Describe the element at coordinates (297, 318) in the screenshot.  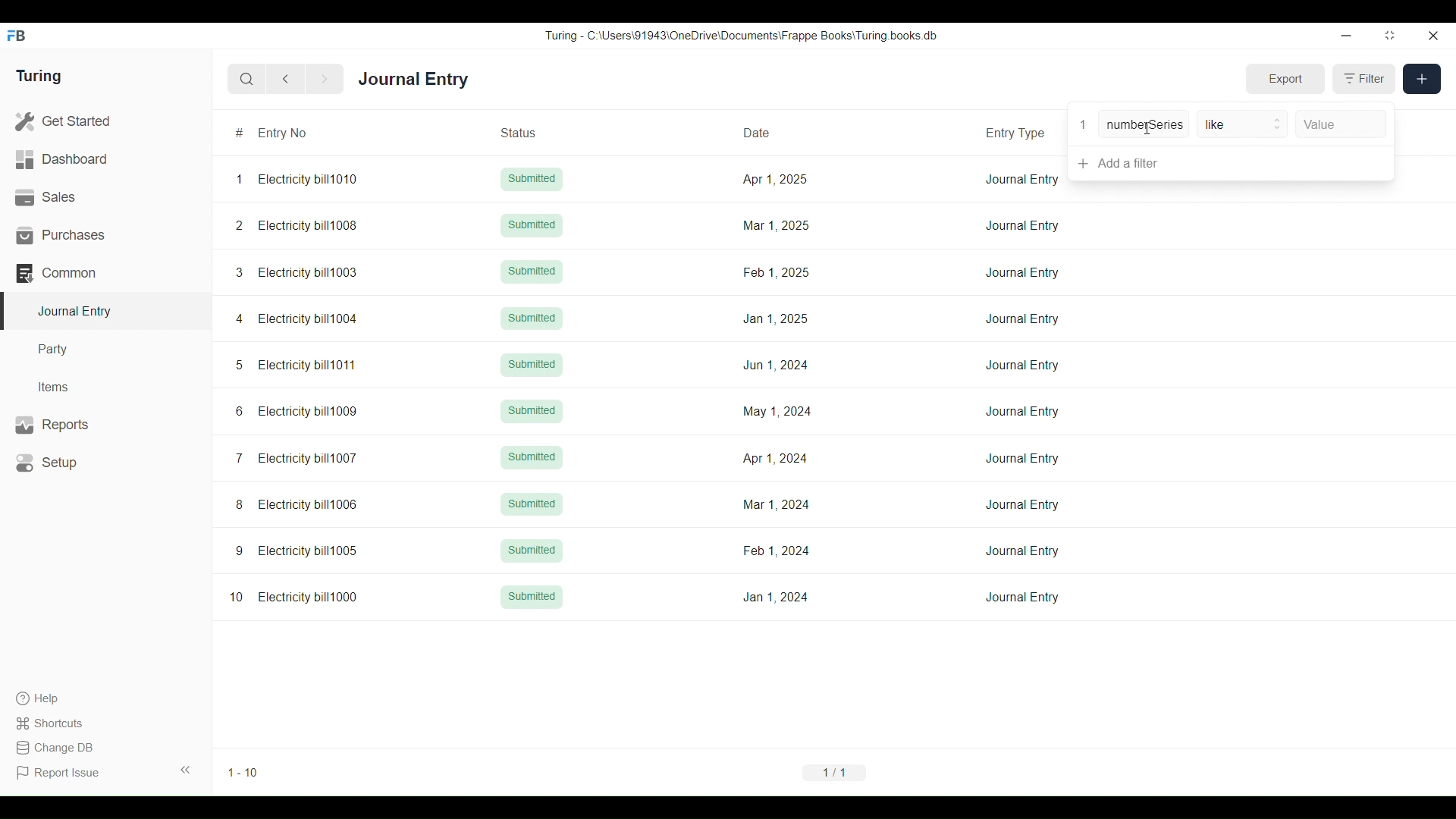
I see `4 Electricity bill1004` at that location.